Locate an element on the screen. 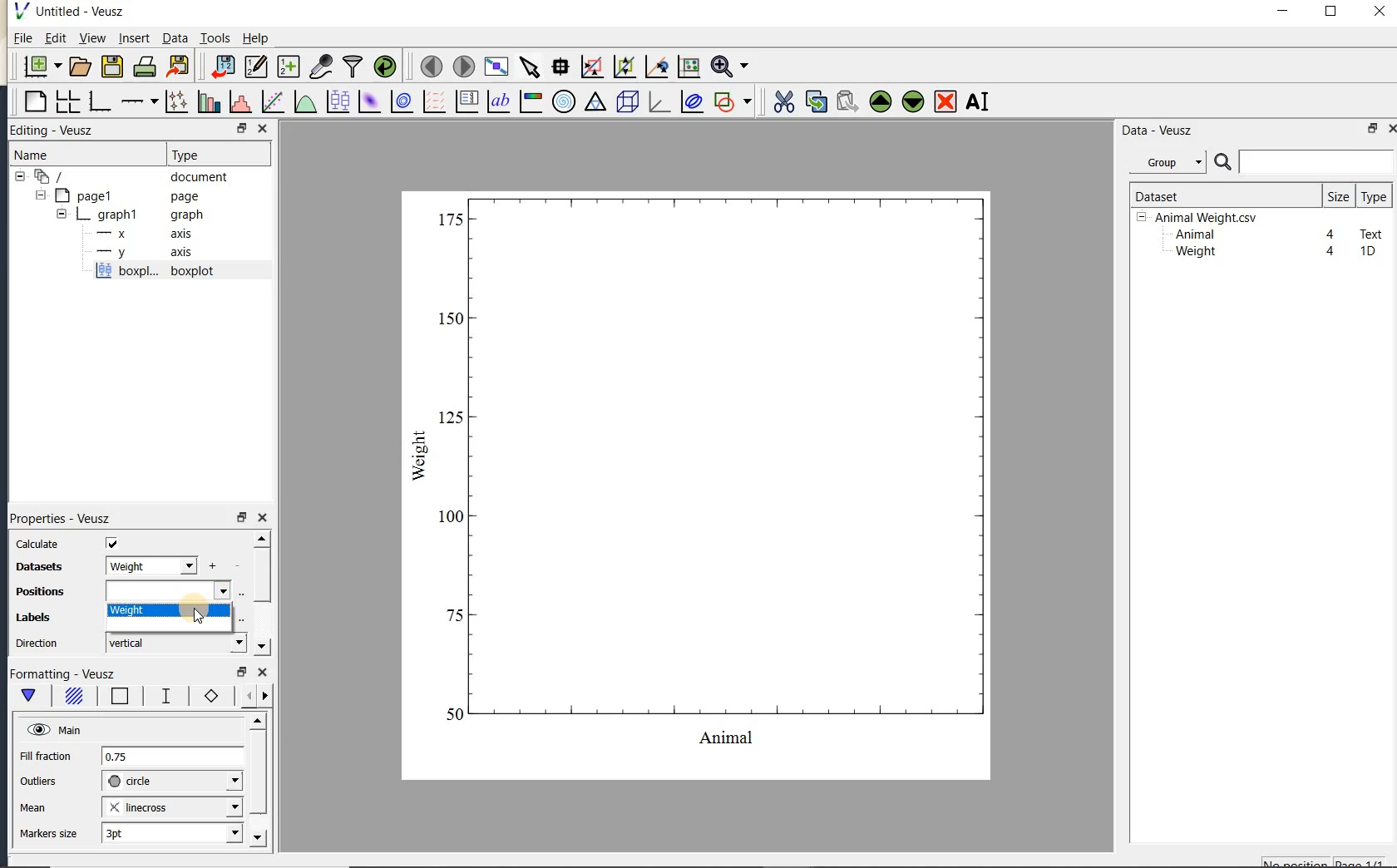 This screenshot has width=1397, height=868. view plot full screen is located at coordinates (496, 67).